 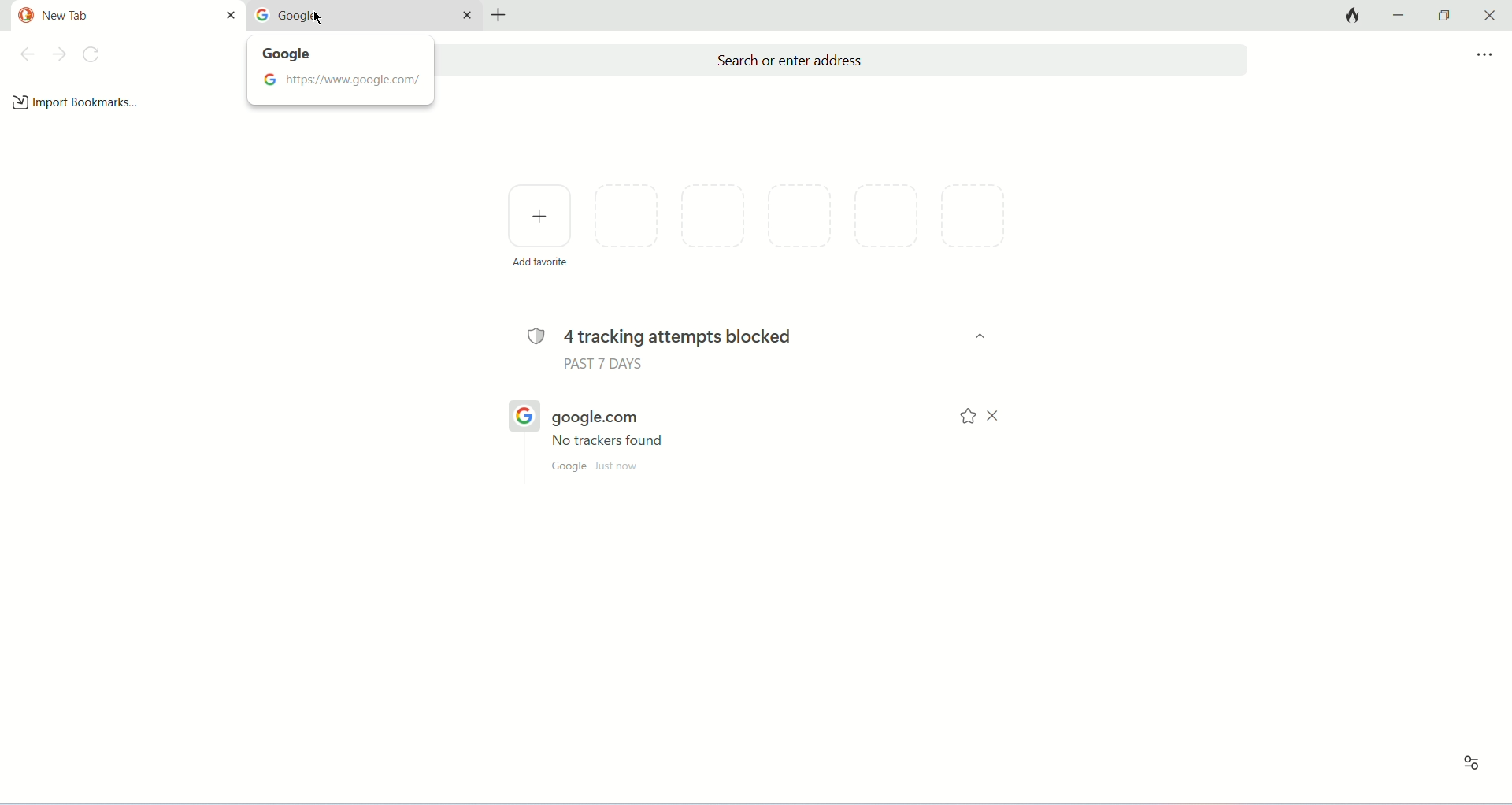 I want to click on google.com, so click(x=593, y=421).